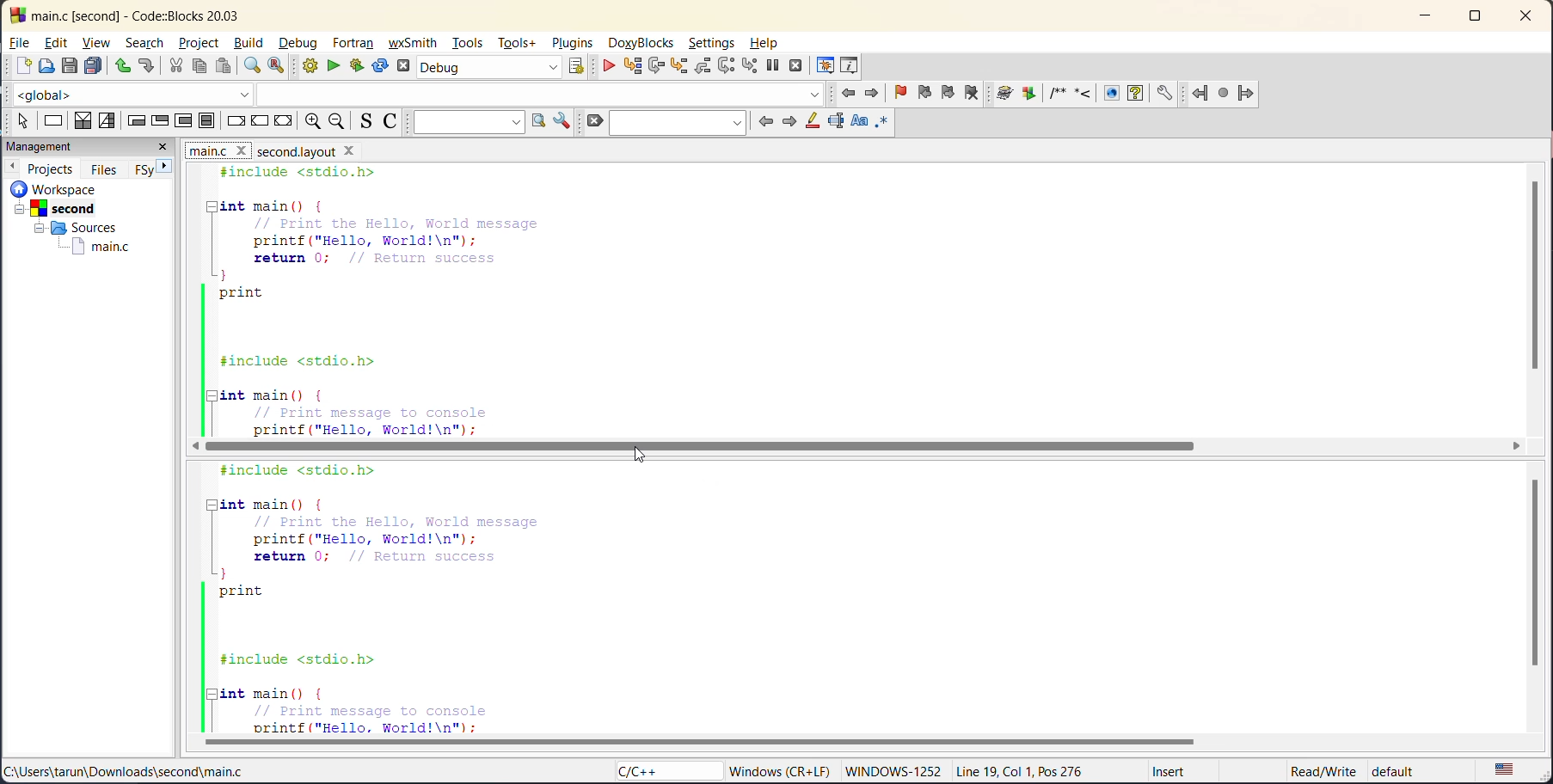 The width and height of the screenshot is (1553, 784). Describe the element at coordinates (81, 188) in the screenshot. I see `workspace` at that location.